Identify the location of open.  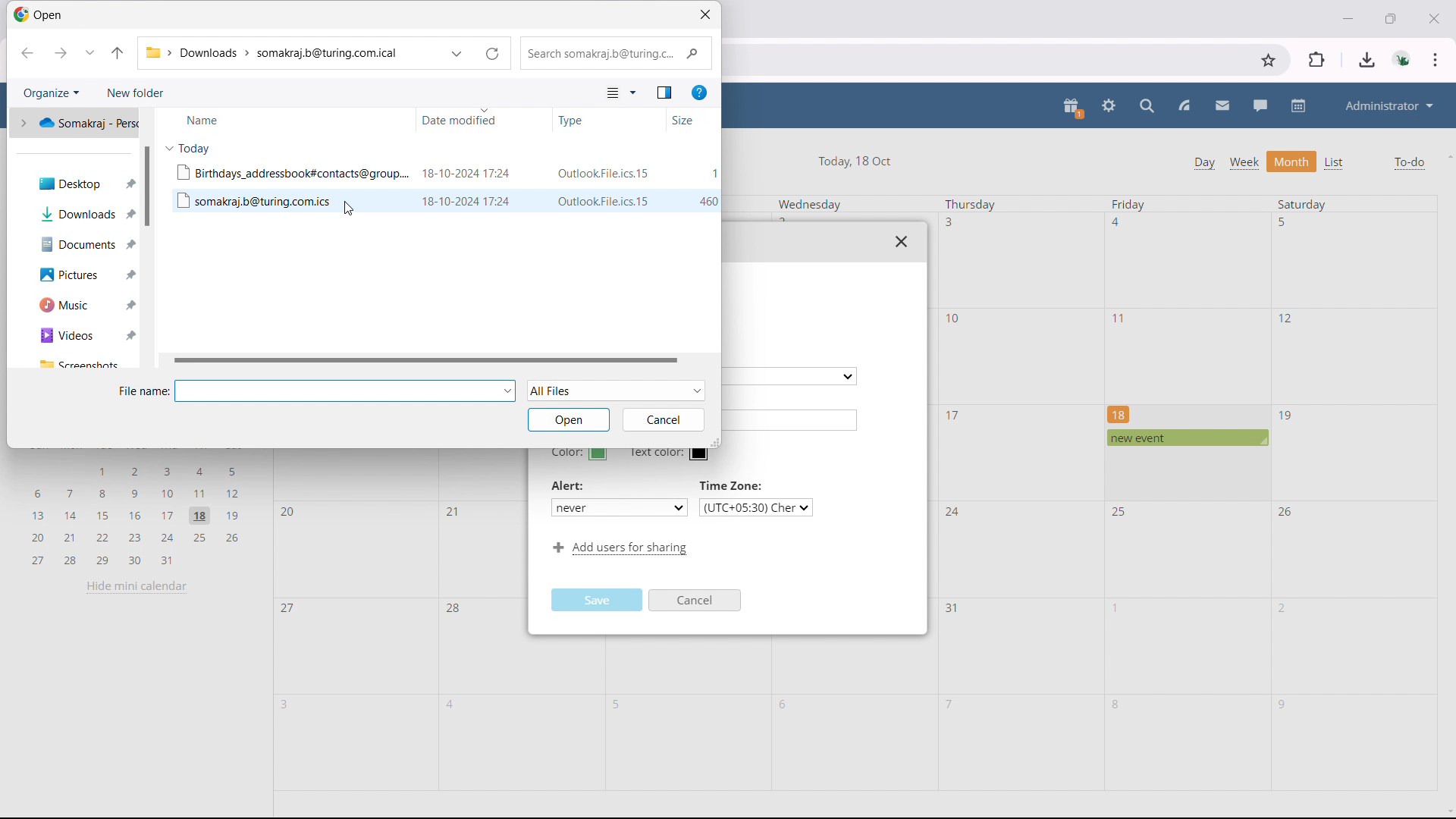
(568, 419).